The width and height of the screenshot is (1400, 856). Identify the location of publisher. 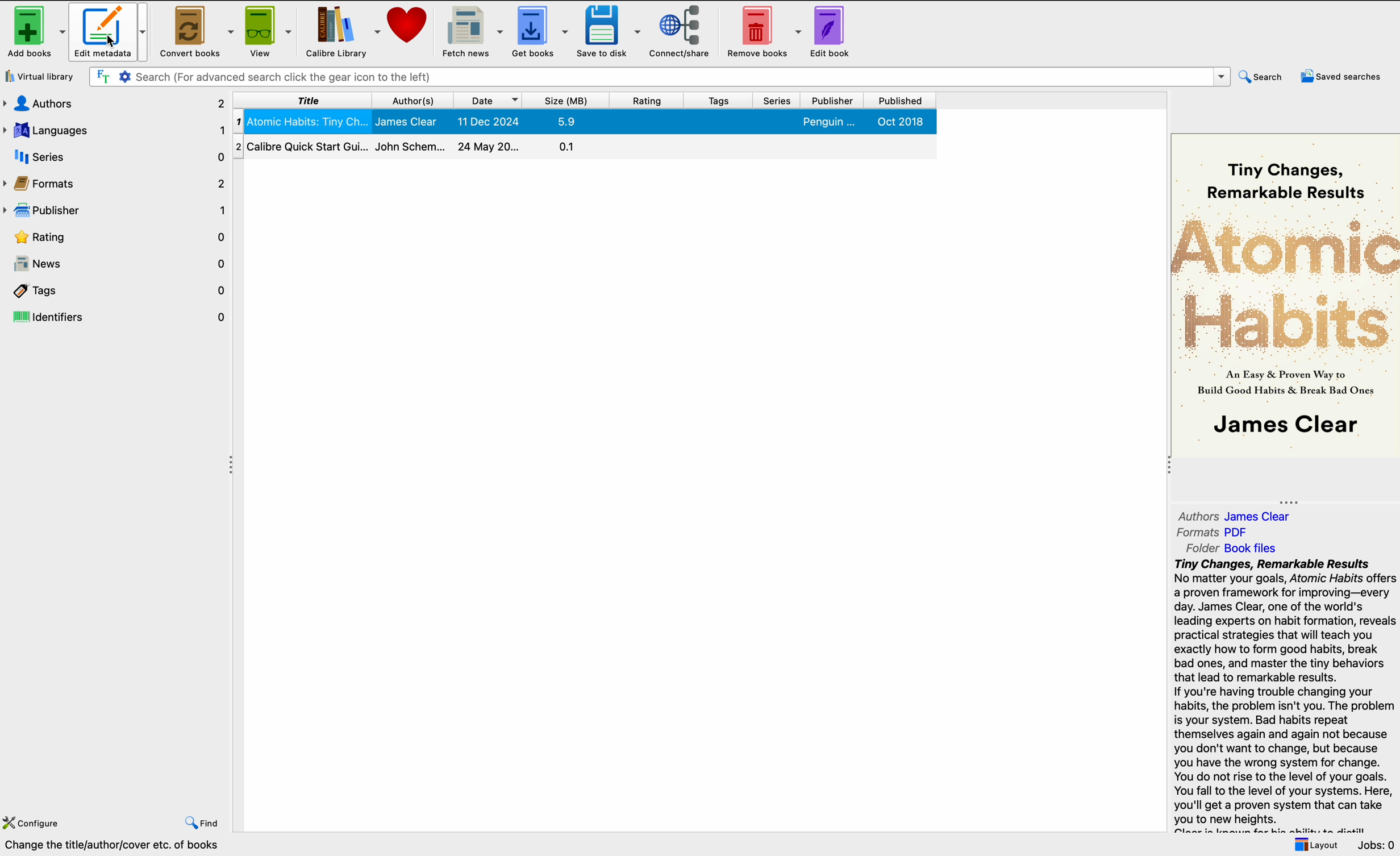
(115, 209).